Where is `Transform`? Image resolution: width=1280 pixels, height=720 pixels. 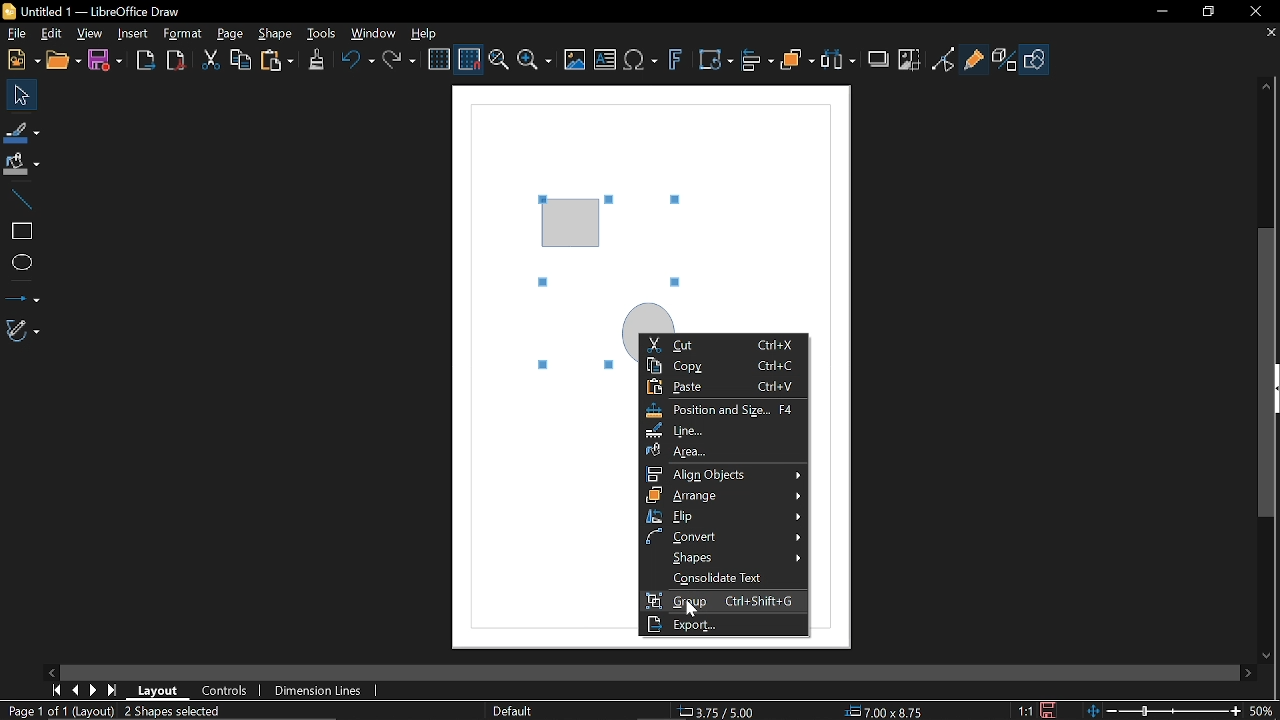
Transform is located at coordinates (715, 61).